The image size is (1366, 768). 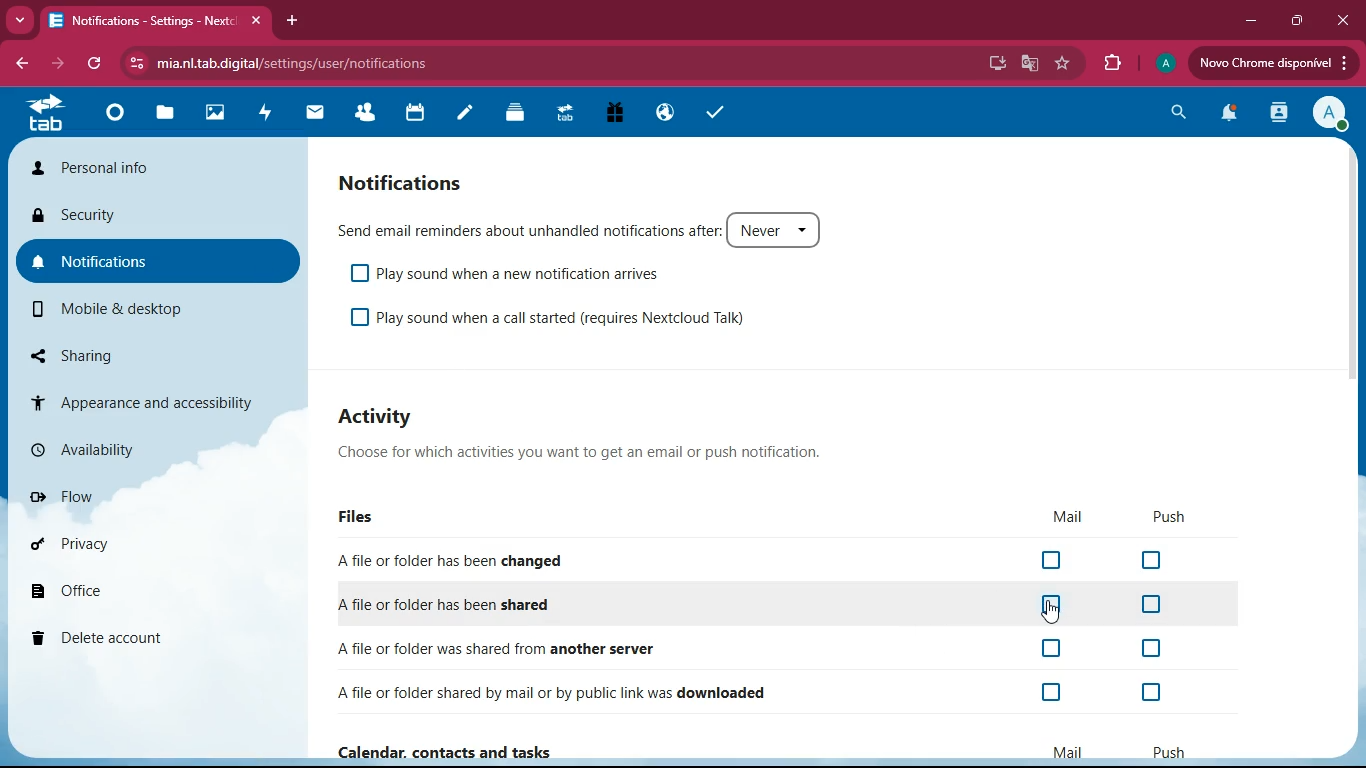 What do you see at coordinates (526, 228) in the screenshot?
I see `send email` at bounding box center [526, 228].